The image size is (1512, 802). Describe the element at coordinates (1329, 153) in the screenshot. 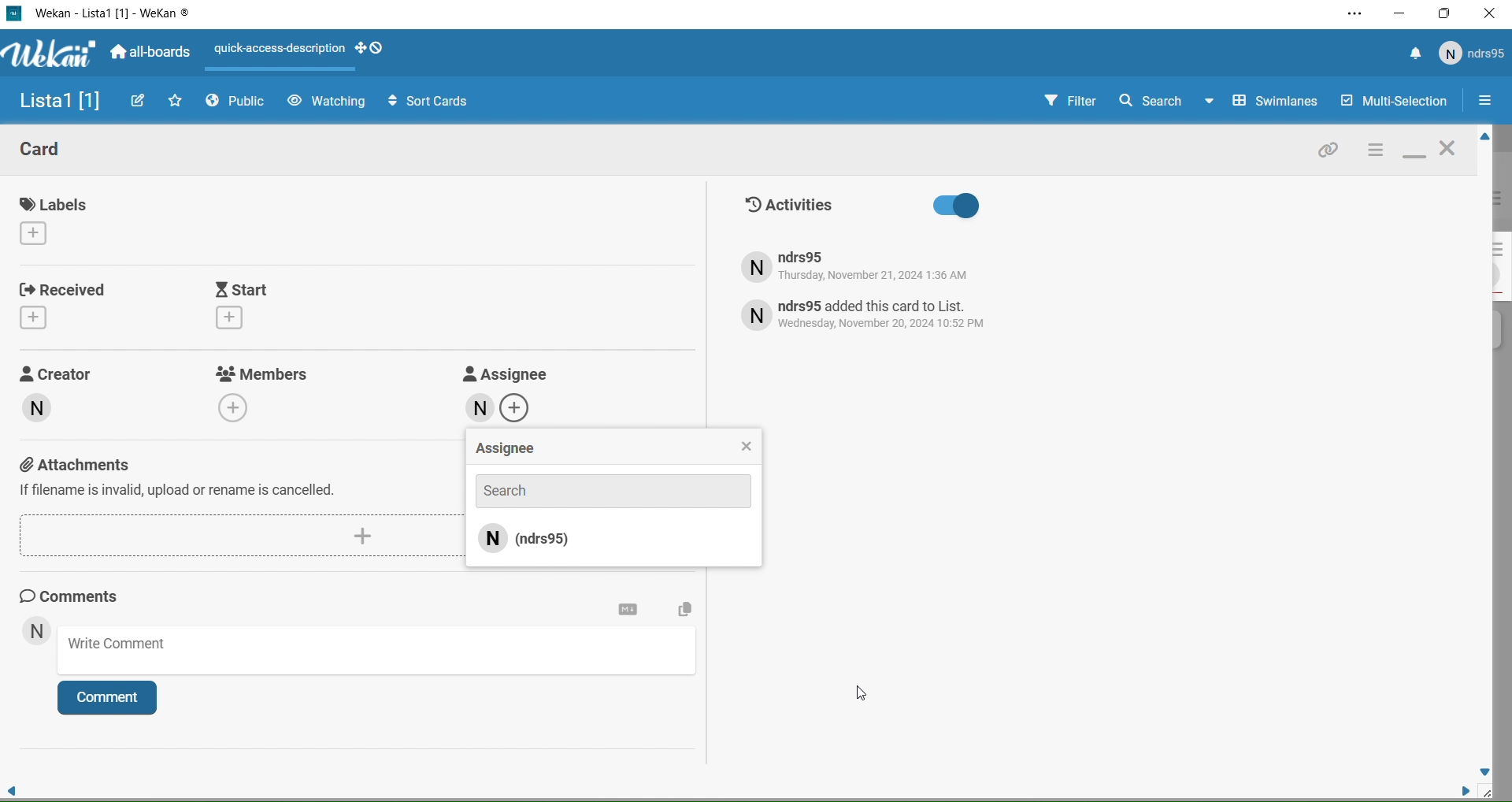

I see `attached` at that location.